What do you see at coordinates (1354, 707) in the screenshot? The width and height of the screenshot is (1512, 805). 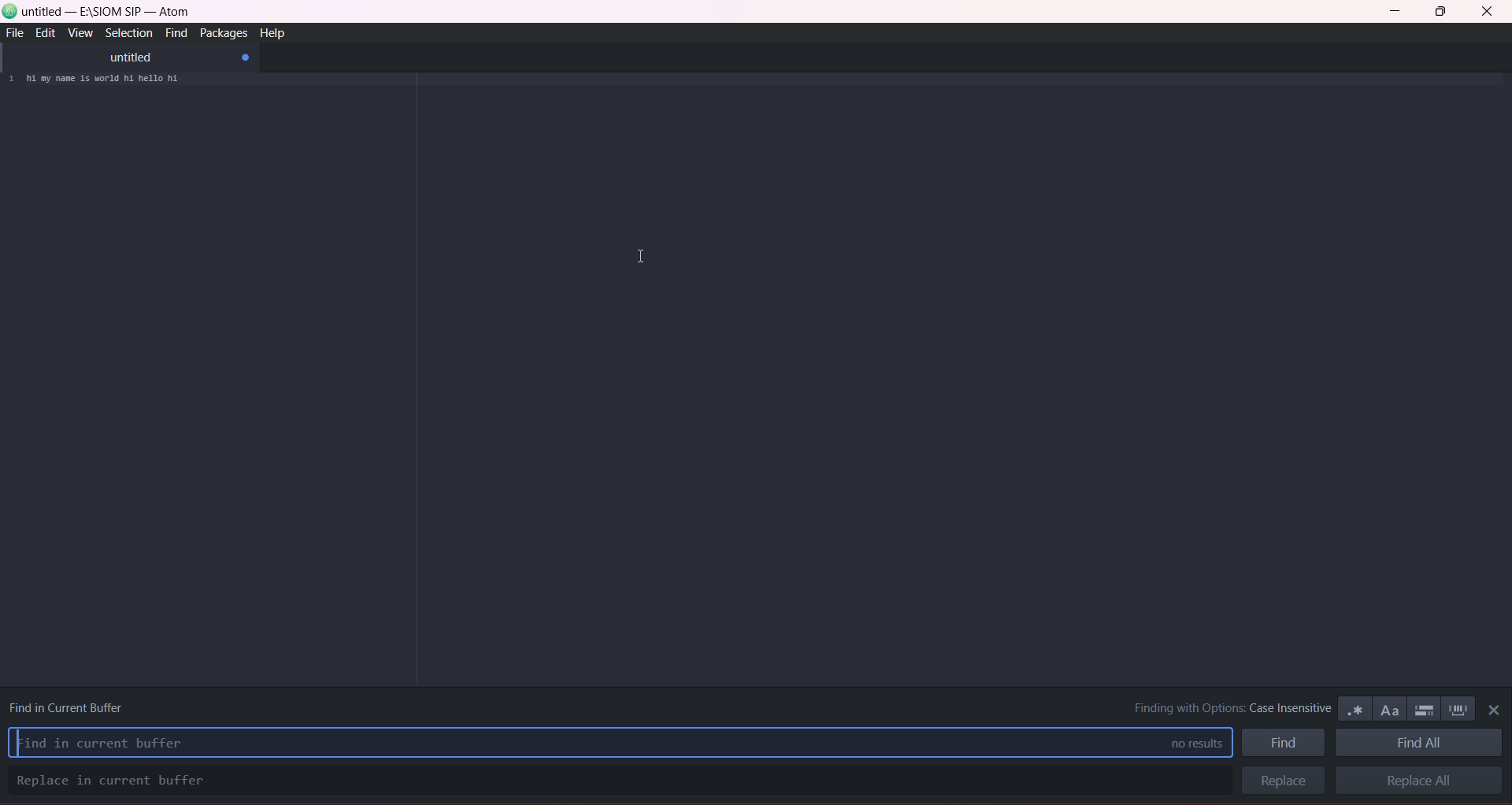 I see `use regex` at bounding box center [1354, 707].